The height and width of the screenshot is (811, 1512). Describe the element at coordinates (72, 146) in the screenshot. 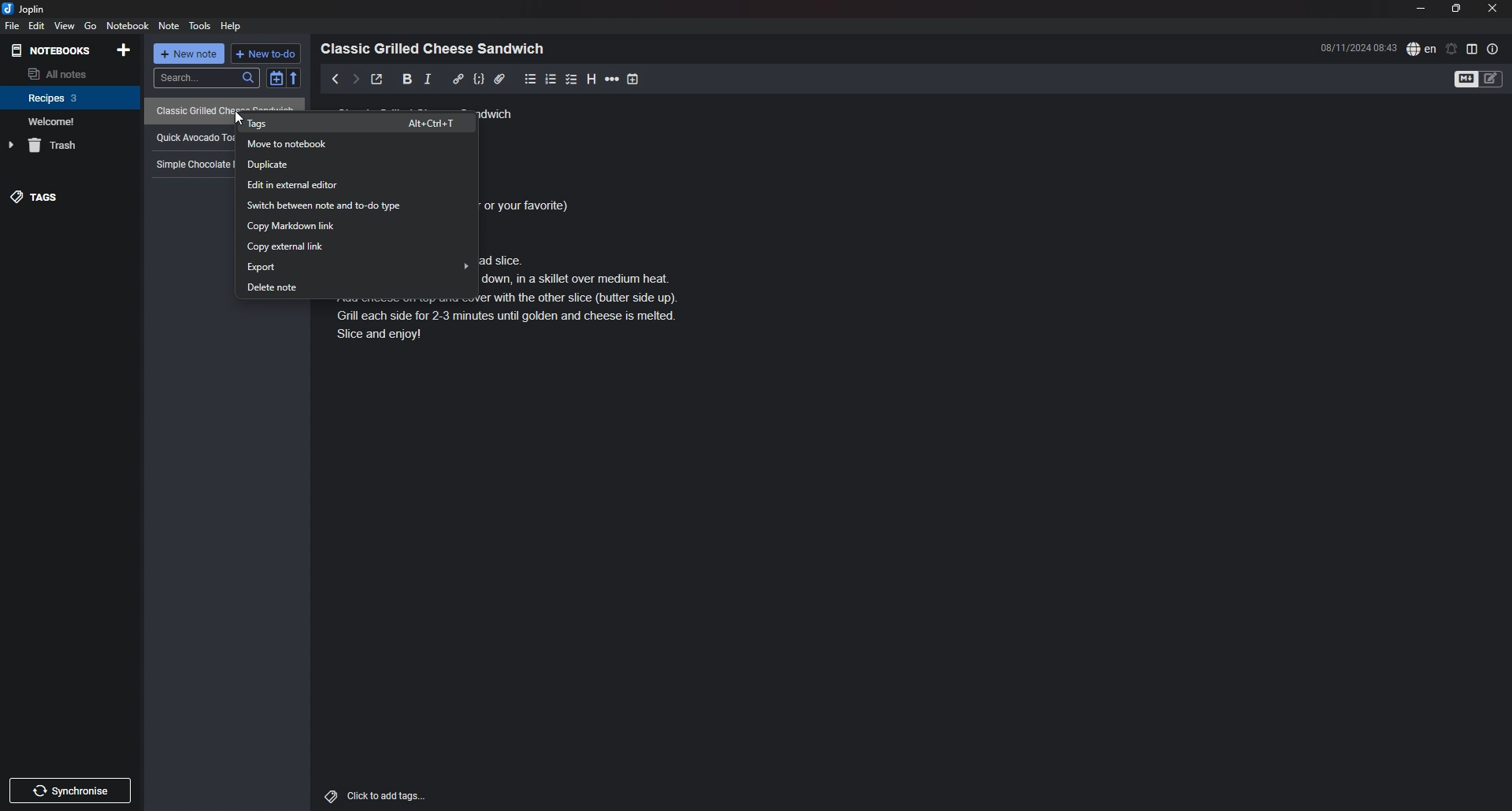

I see `trash` at that location.